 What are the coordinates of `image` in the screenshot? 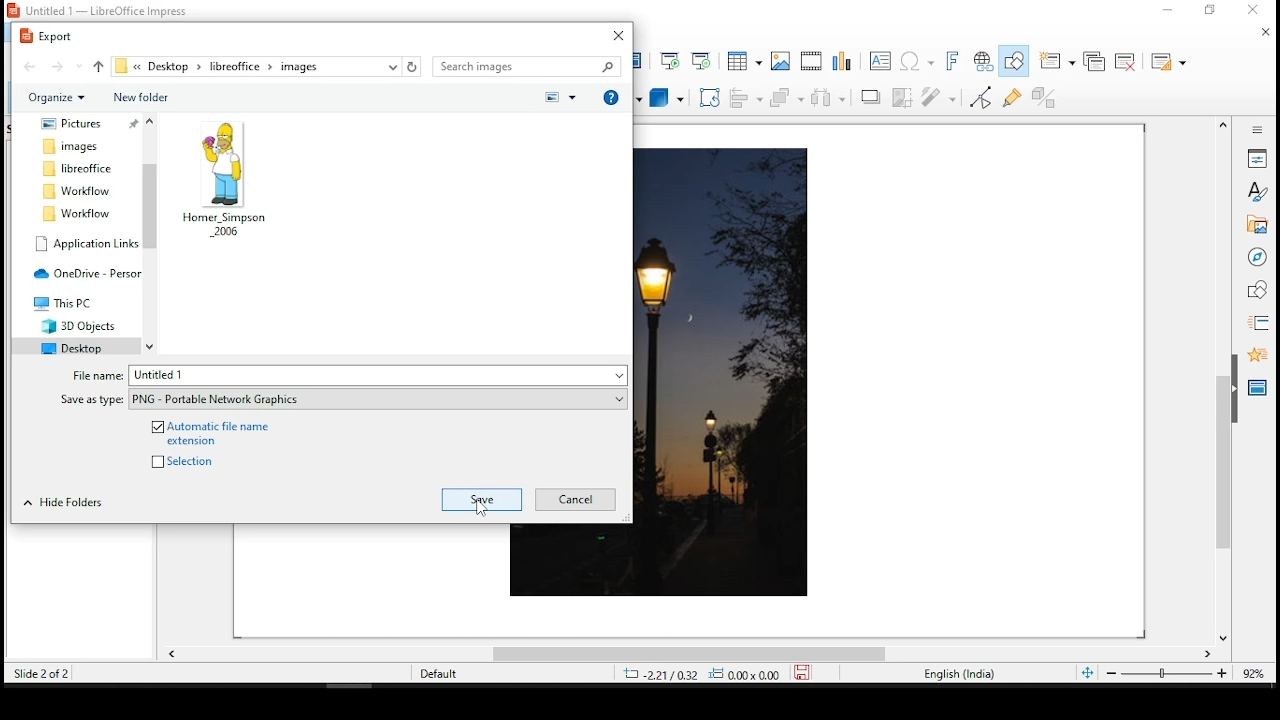 It's located at (728, 373).